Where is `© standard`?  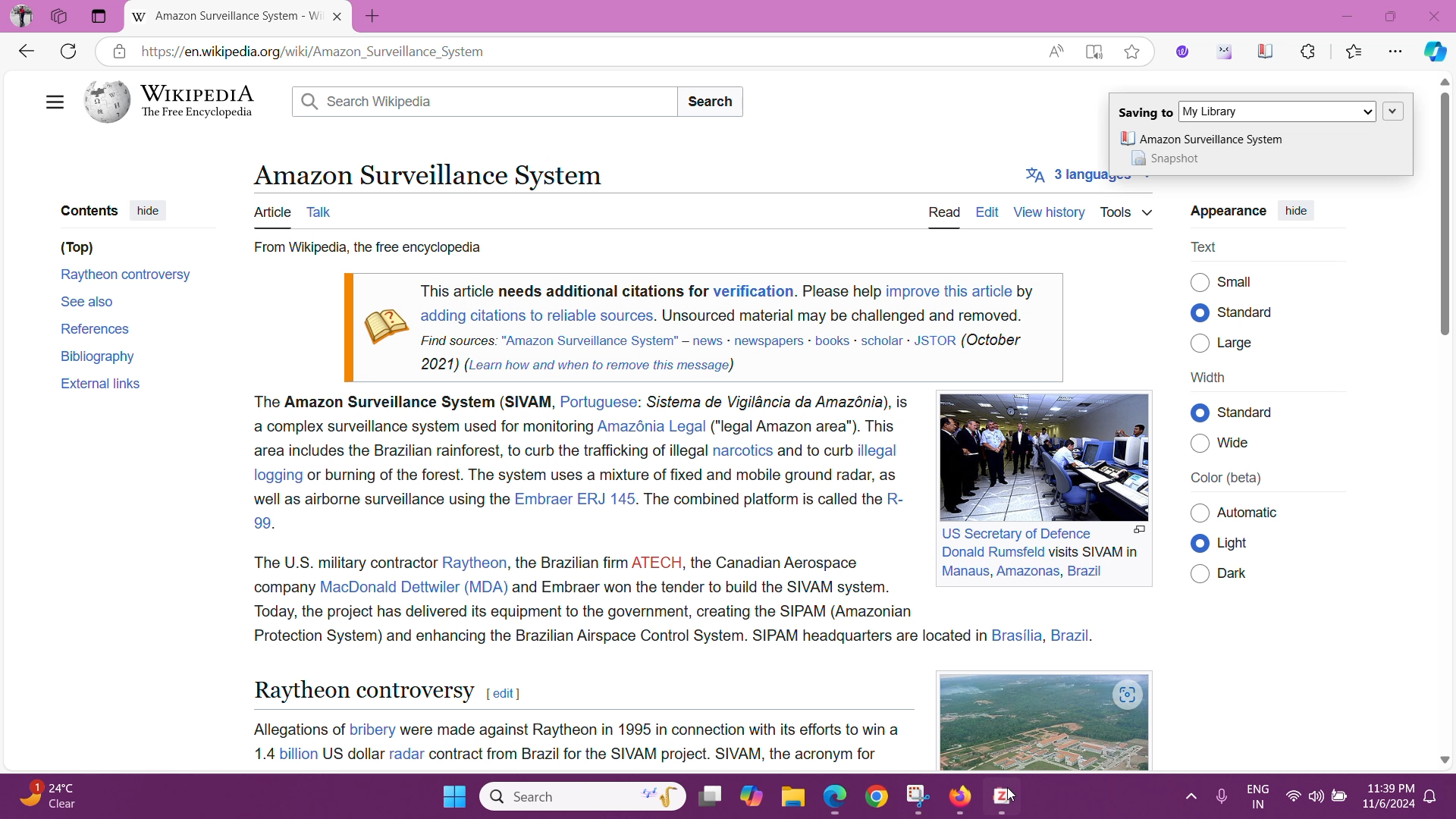 © standard is located at coordinates (1250, 312).